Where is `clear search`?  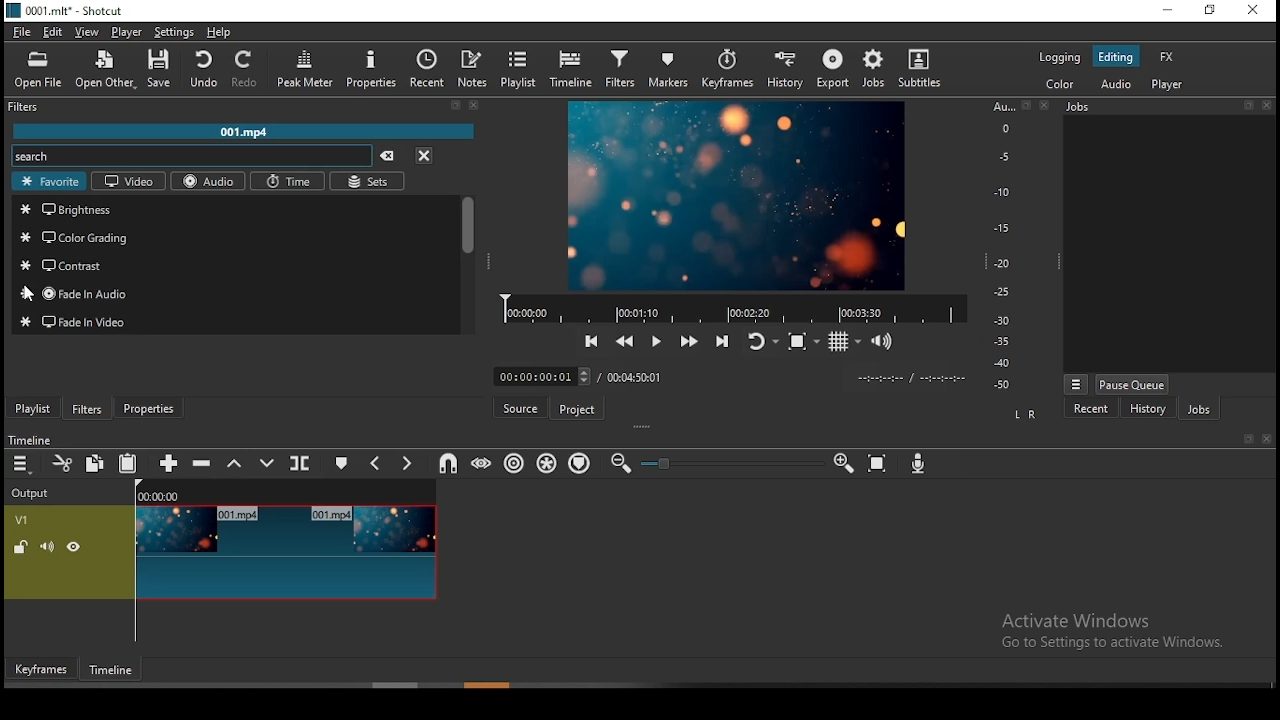 clear search is located at coordinates (391, 154).